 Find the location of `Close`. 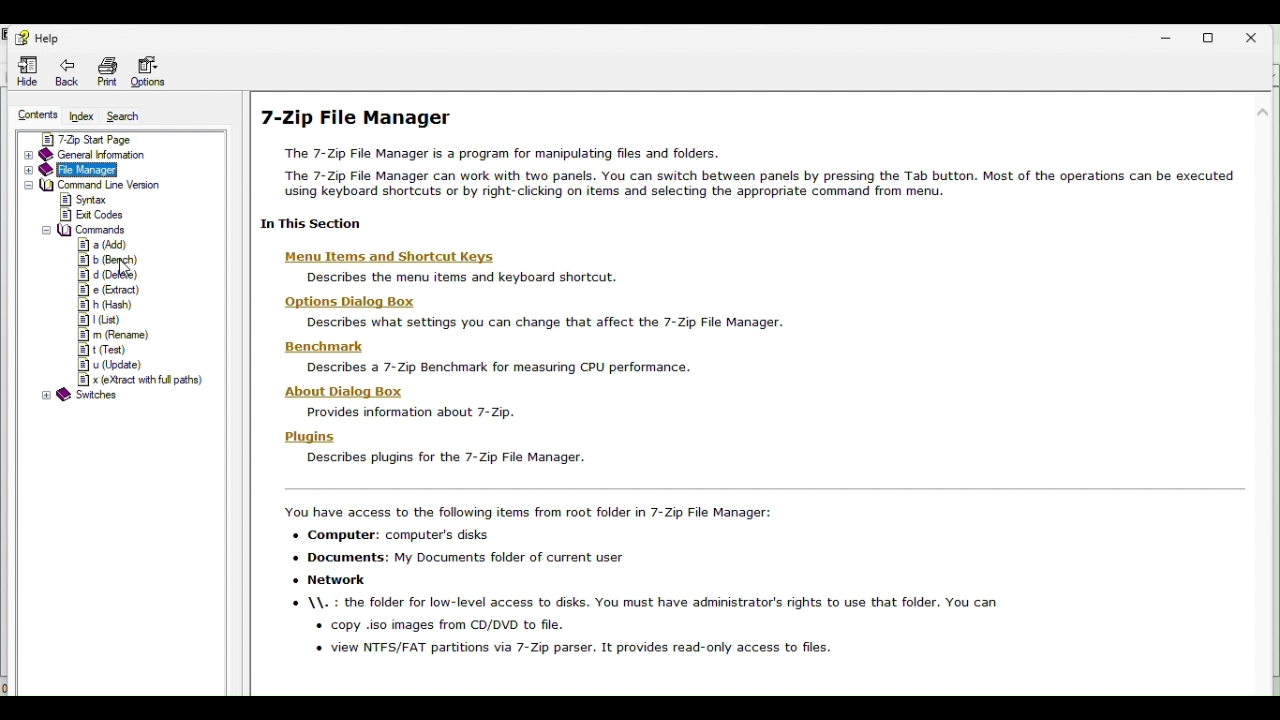

Close is located at coordinates (1260, 37).